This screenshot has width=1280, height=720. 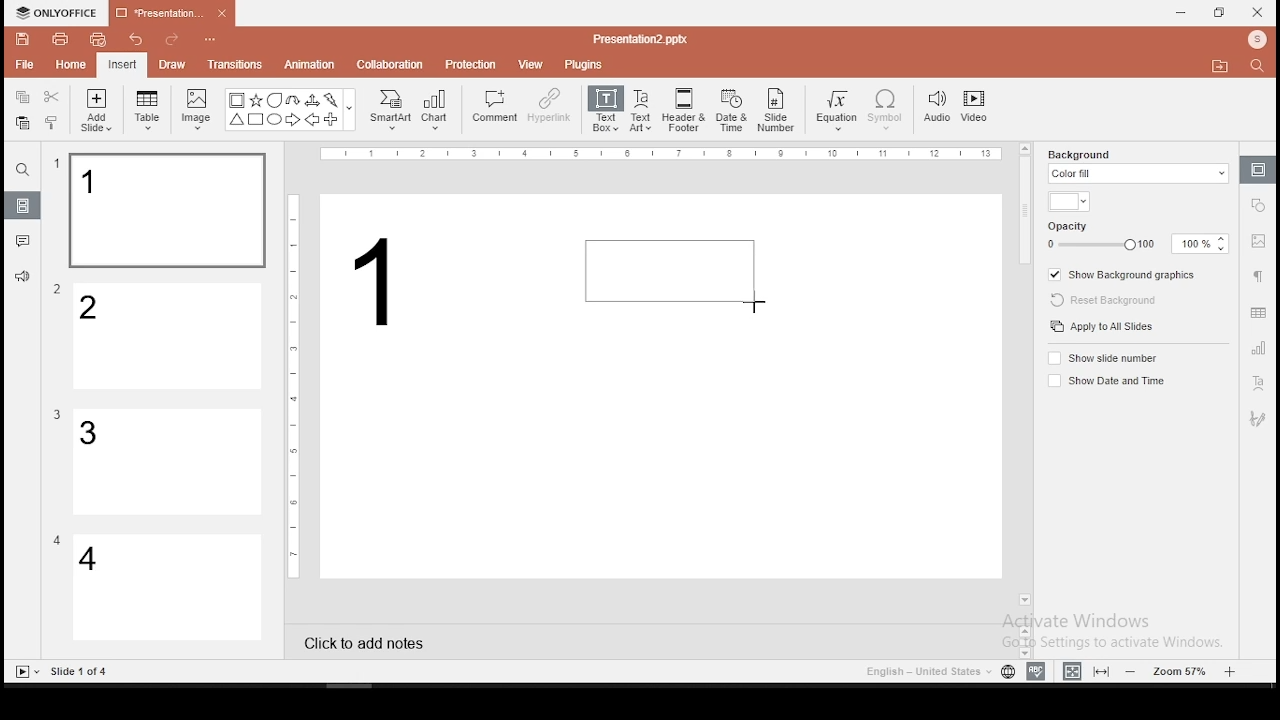 What do you see at coordinates (58, 290) in the screenshot?
I see `` at bounding box center [58, 290].